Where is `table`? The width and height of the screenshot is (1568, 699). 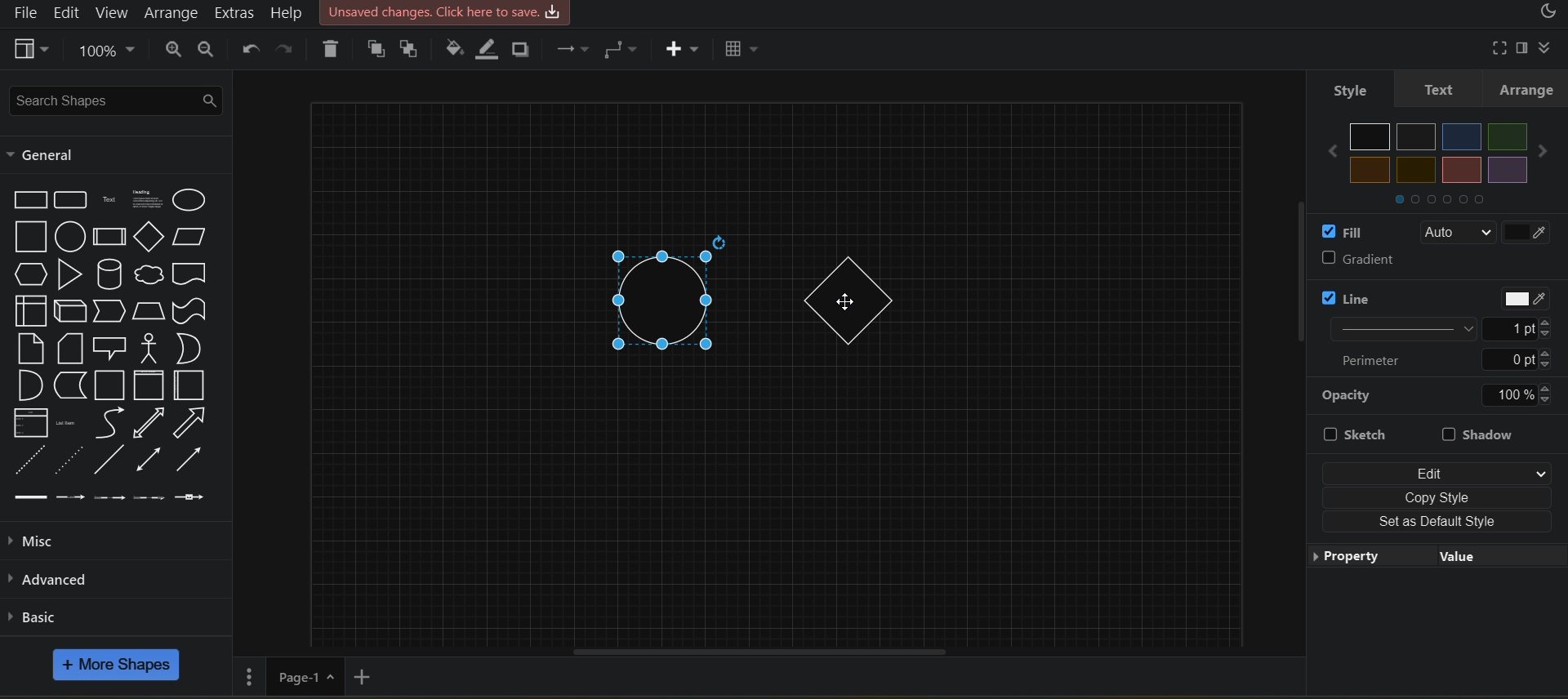 table is located at coordinates (742, 50).